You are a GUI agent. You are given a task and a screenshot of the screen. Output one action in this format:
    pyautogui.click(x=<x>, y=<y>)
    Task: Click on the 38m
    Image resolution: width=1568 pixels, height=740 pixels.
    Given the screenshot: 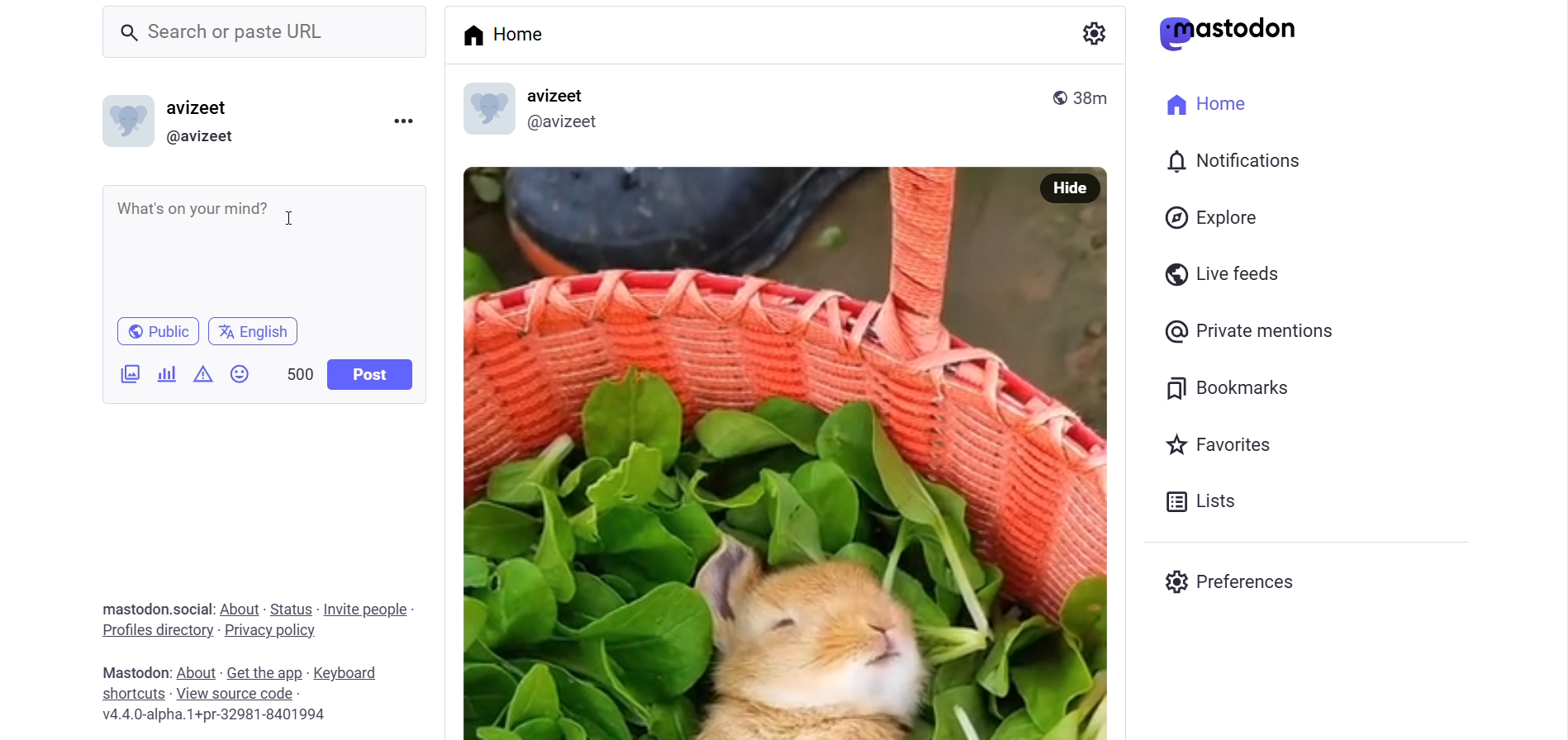 What is the action you would take?
    pyautogui.click(x=1098, y=97)
    